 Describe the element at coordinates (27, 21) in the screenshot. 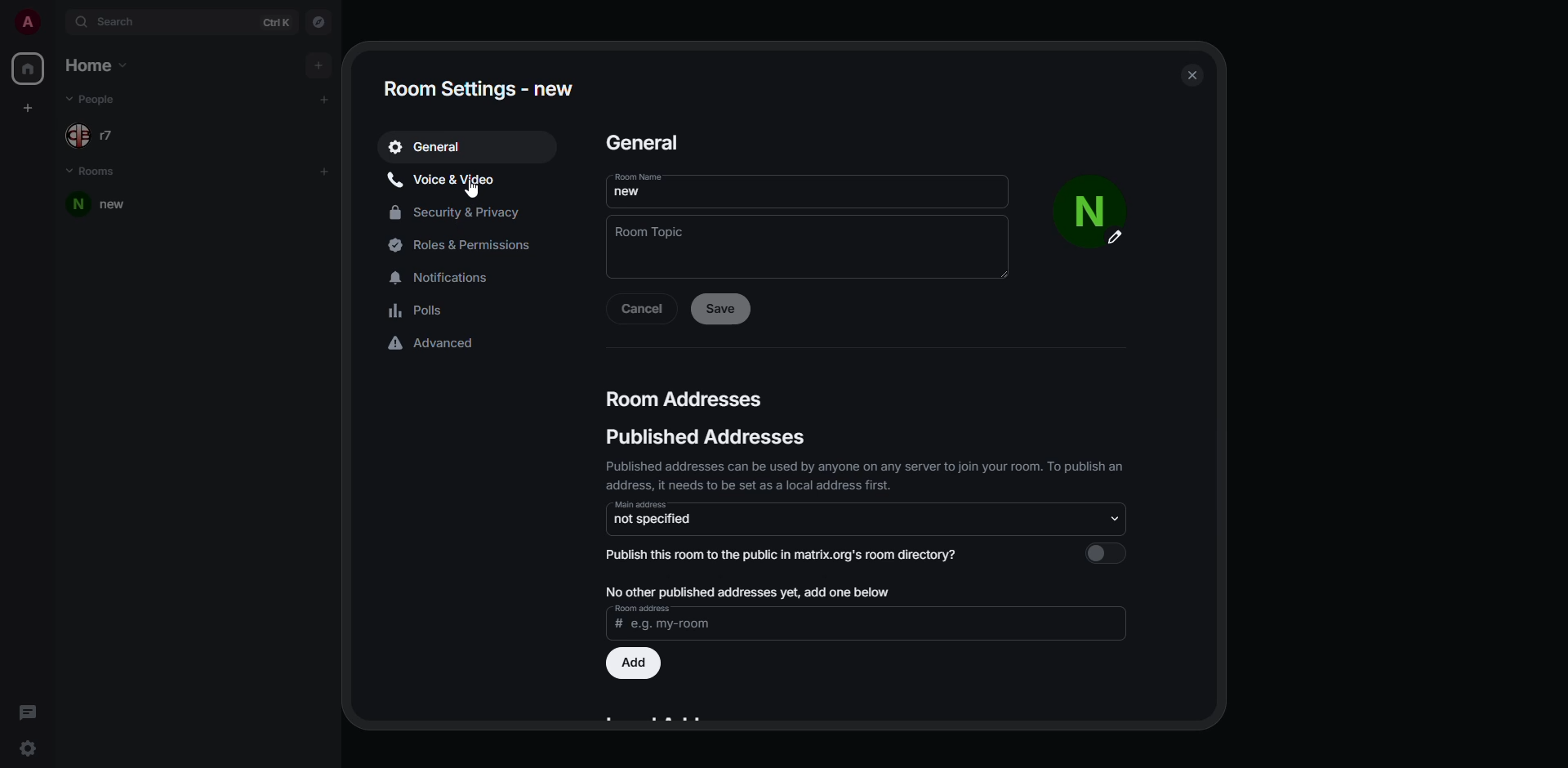

I see `profile` at that location.